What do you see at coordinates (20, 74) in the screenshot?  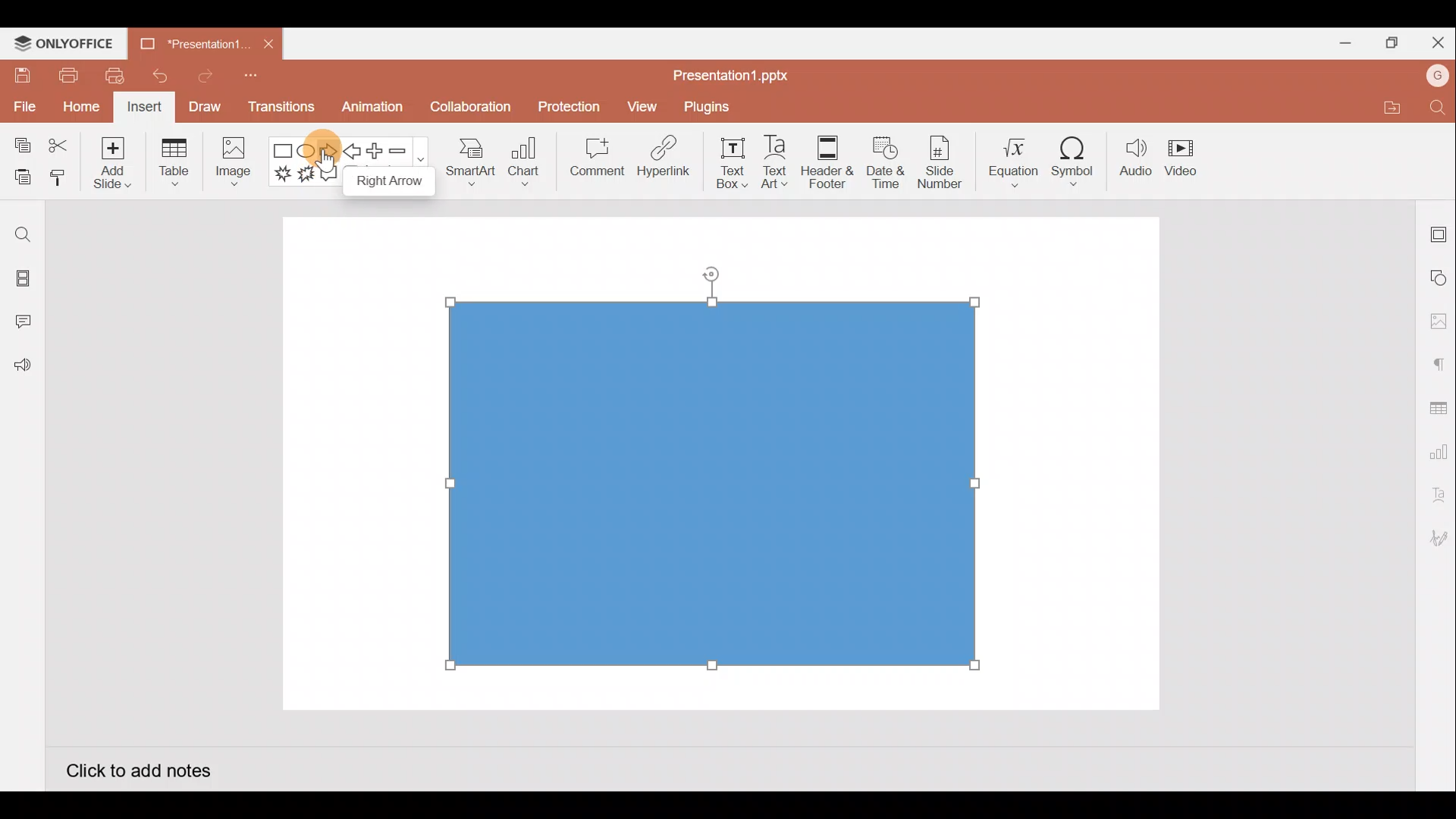 I see `Save` at bounding box center [20, 74].